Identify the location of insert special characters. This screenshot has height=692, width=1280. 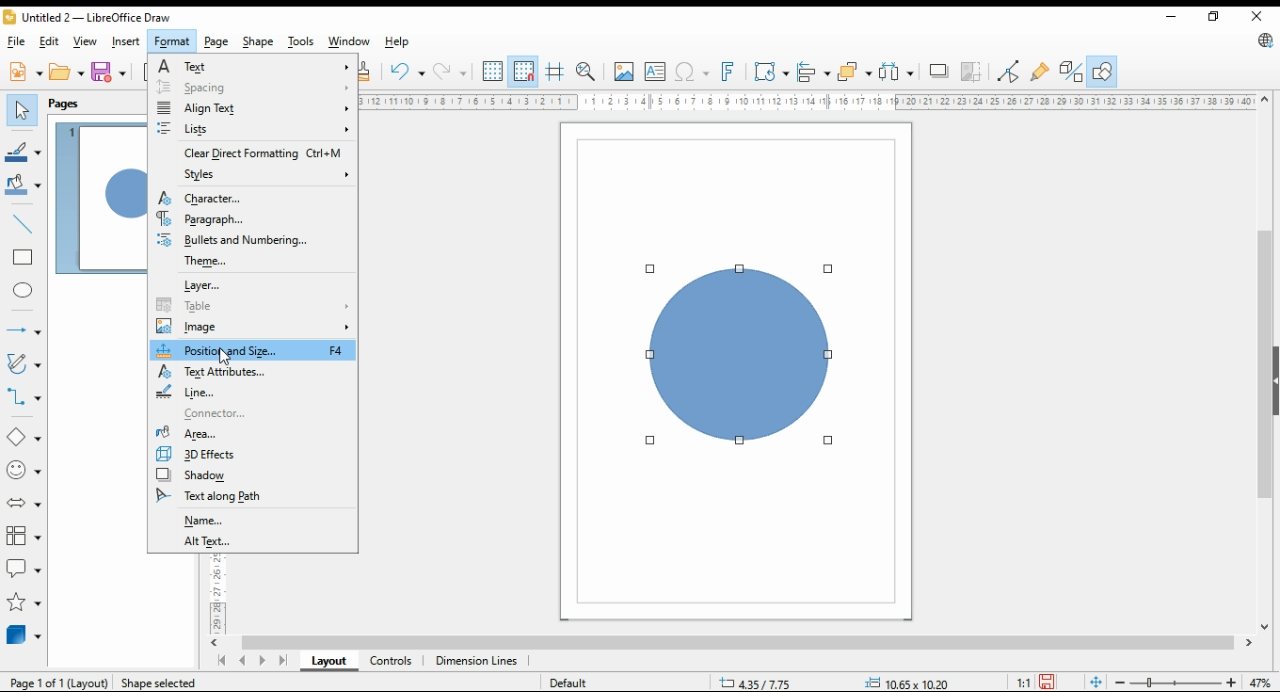
(694, 72).